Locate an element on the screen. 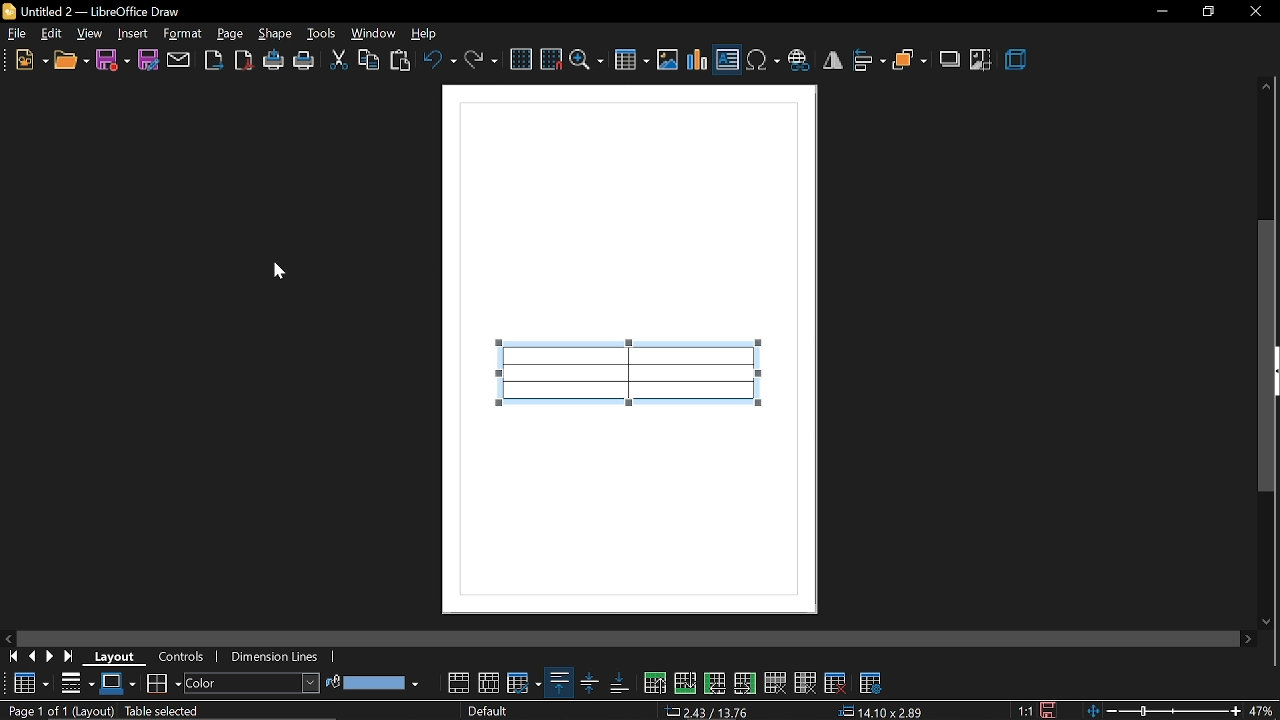 The width and height of the screenshot is (1280, 720). Page 1 of 1 (Layoutt) is located at coordinates (59, 711).